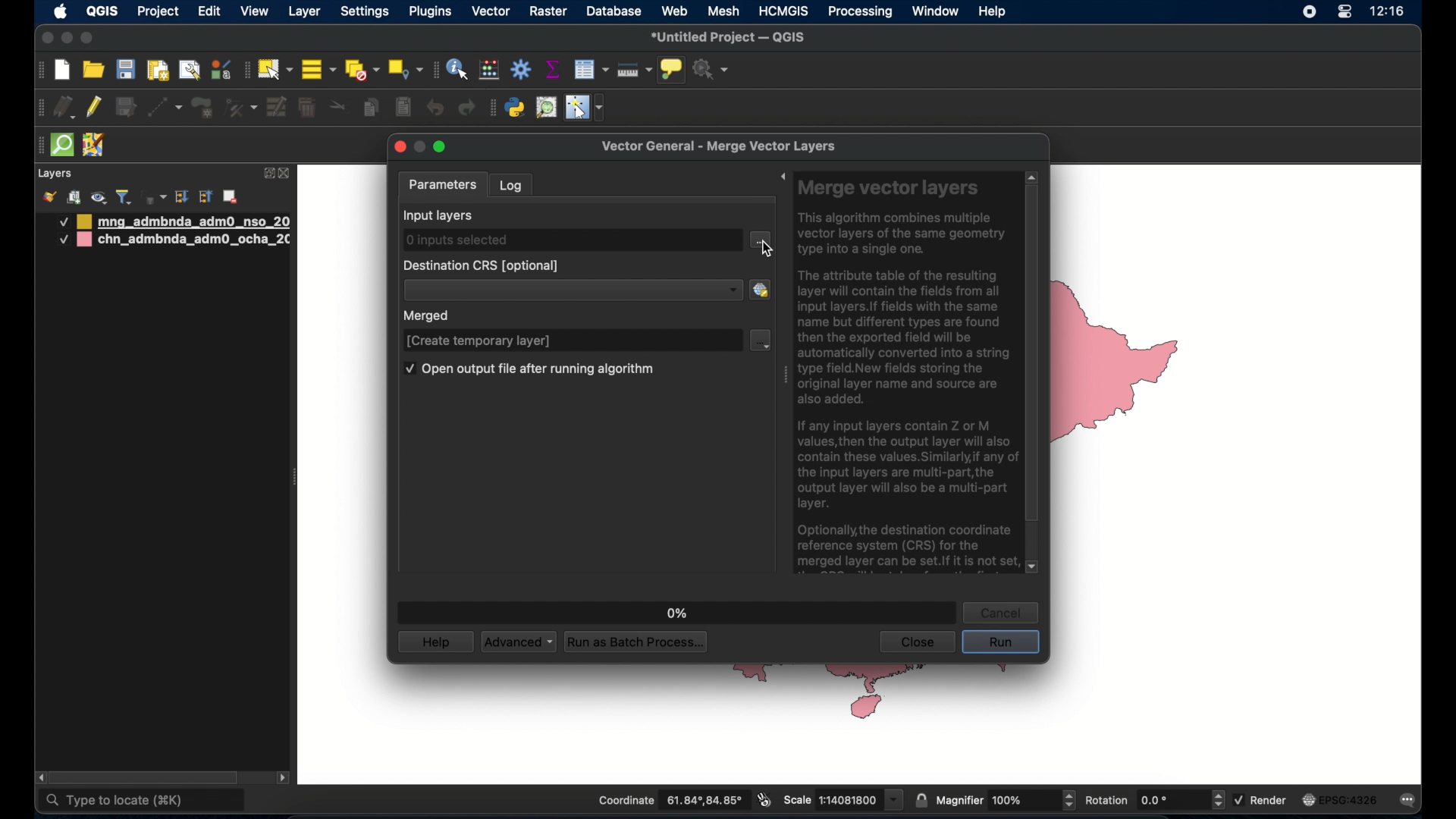 Image resolution: width=1456 pixels, height=819 pixels. Describe the element at coordinates (206, 199) in the screenshot. I see `collapse all ` at that location.